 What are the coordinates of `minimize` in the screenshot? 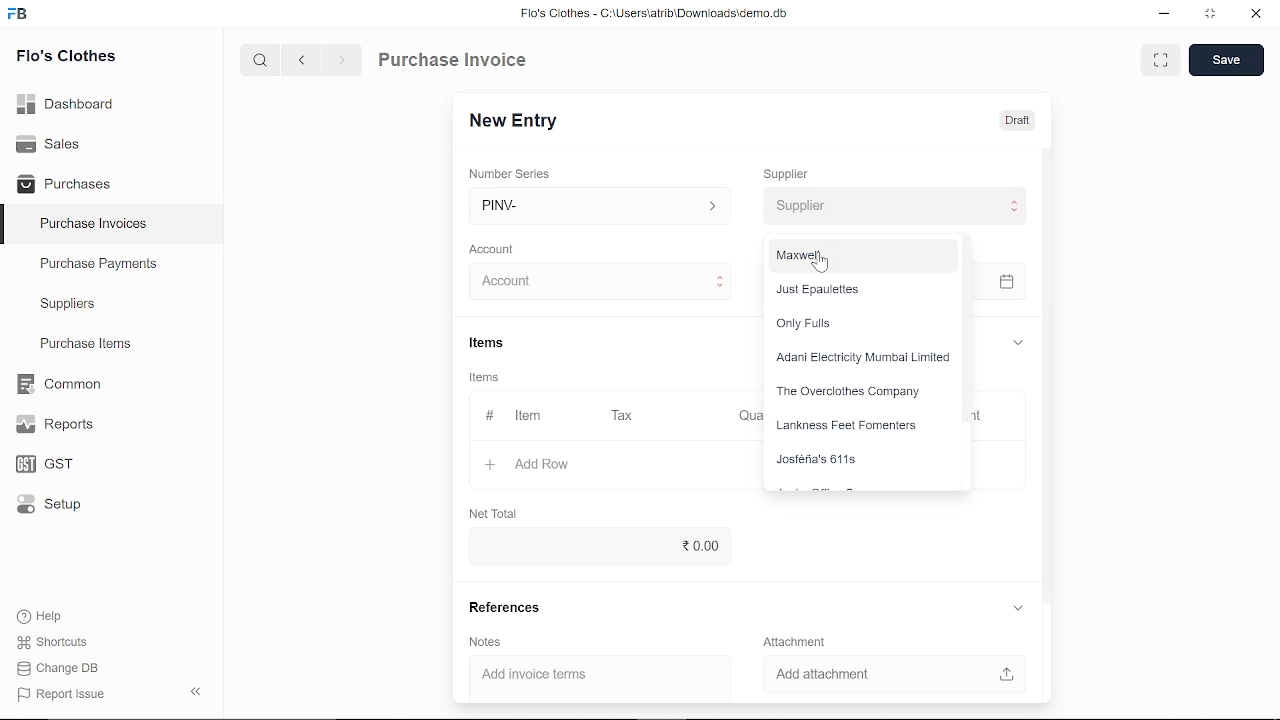 It's located at (1162, 14).